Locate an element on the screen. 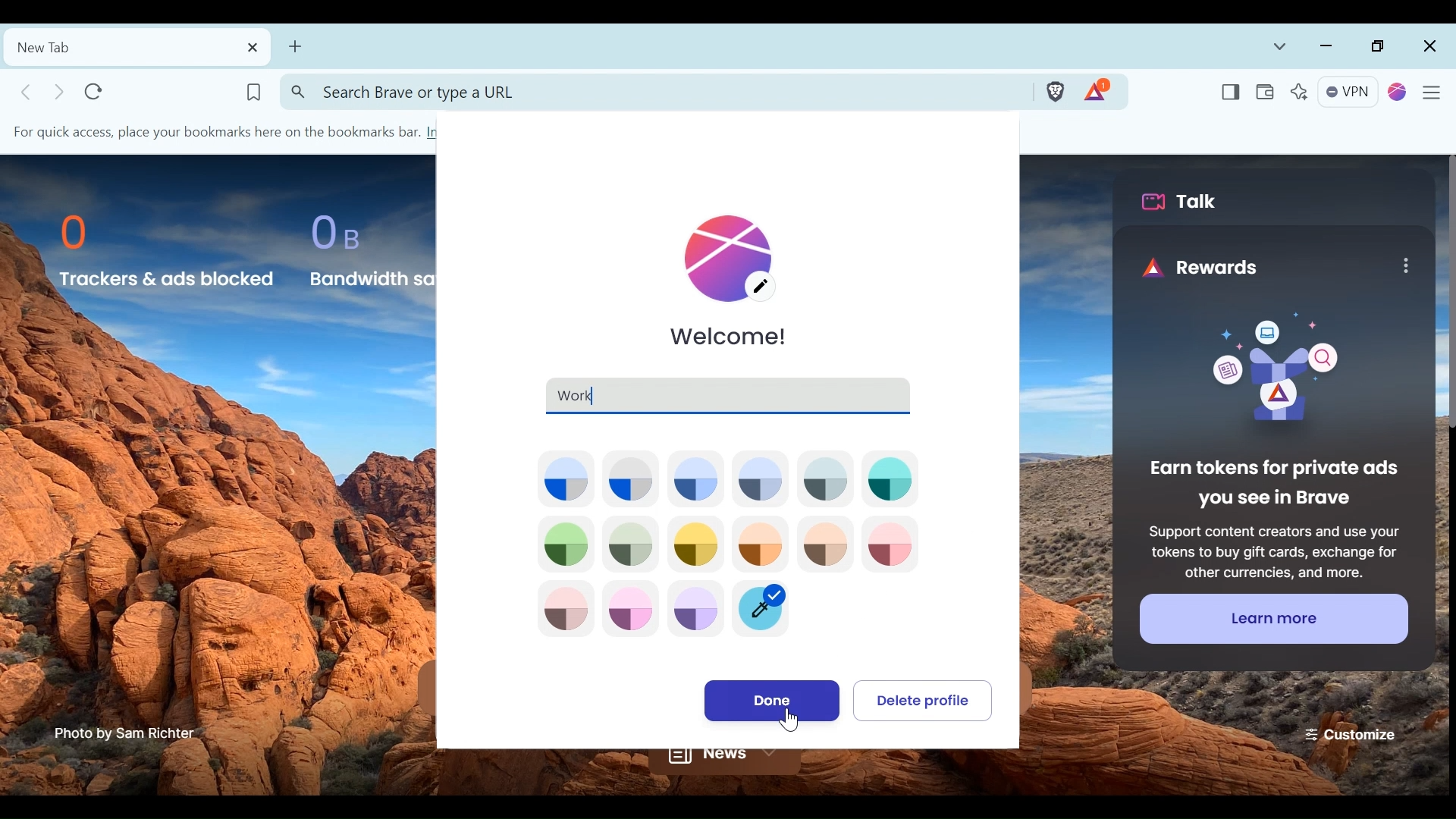  List all tabs is located at coordinates (1280, 47).